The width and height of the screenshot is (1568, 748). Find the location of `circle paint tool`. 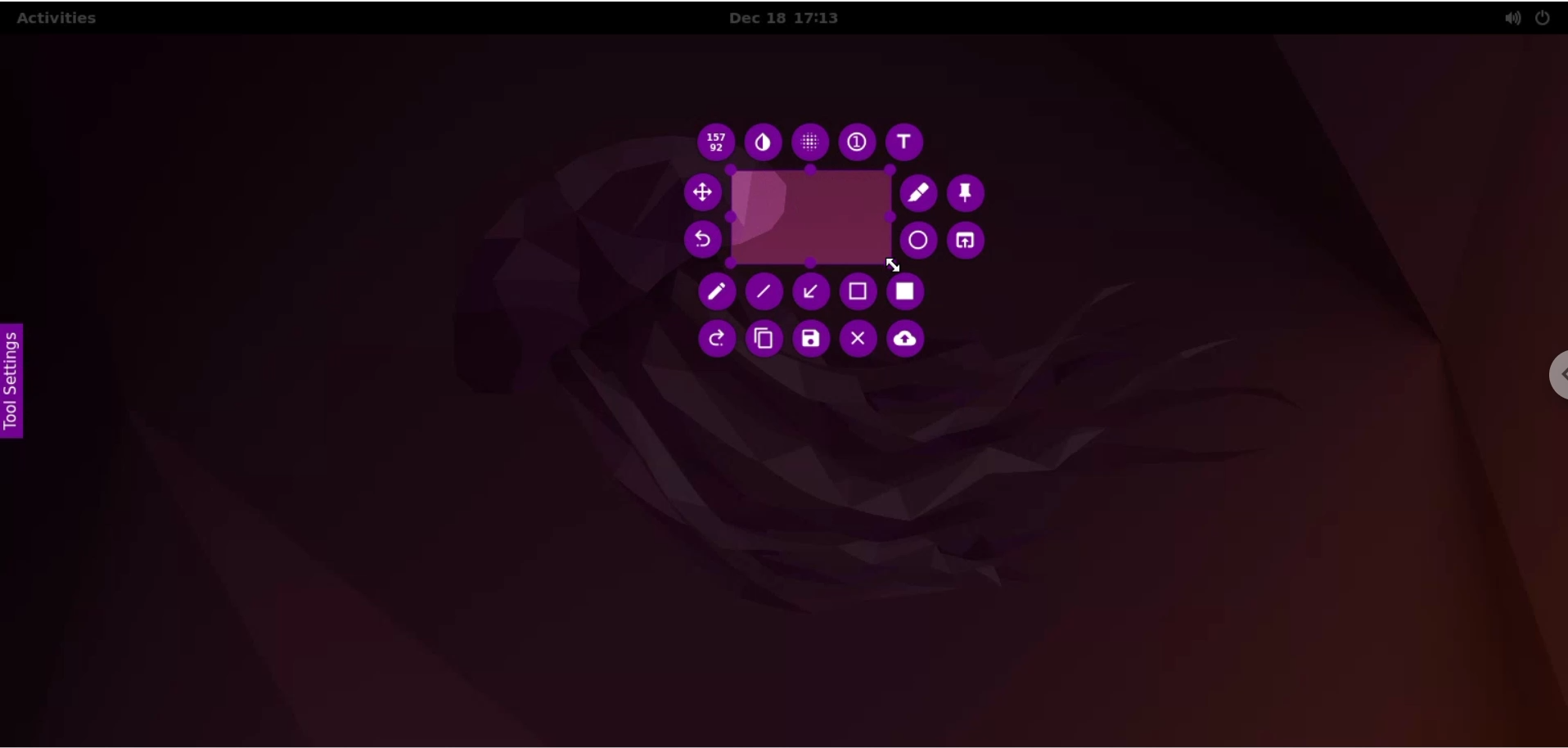

circle paint tool is located at coordinates (919, 240).